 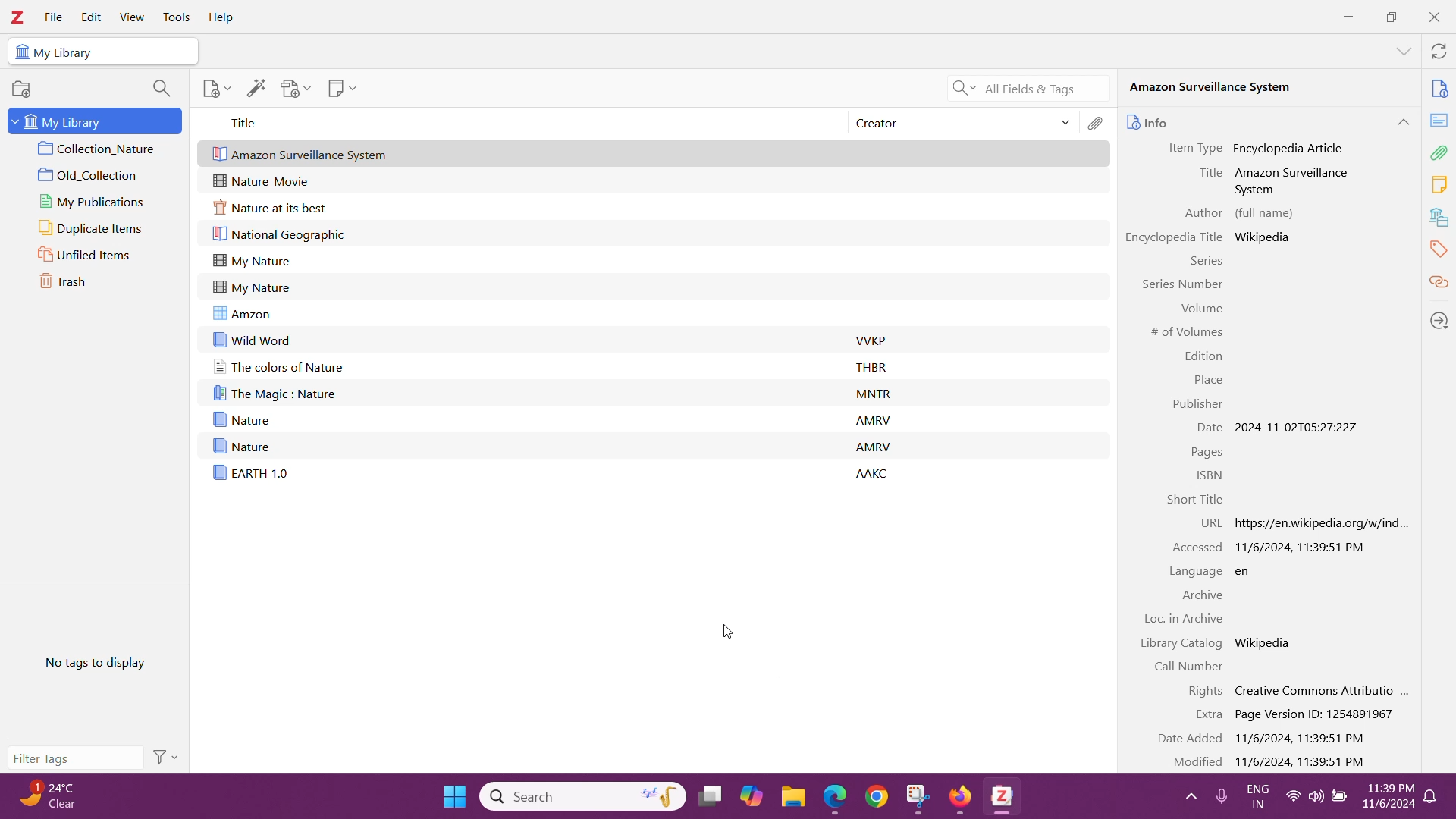 What do you see at coordinates (19, 18) in the screenshot?
I see `Application Logo` at bounding box center [19, 18].